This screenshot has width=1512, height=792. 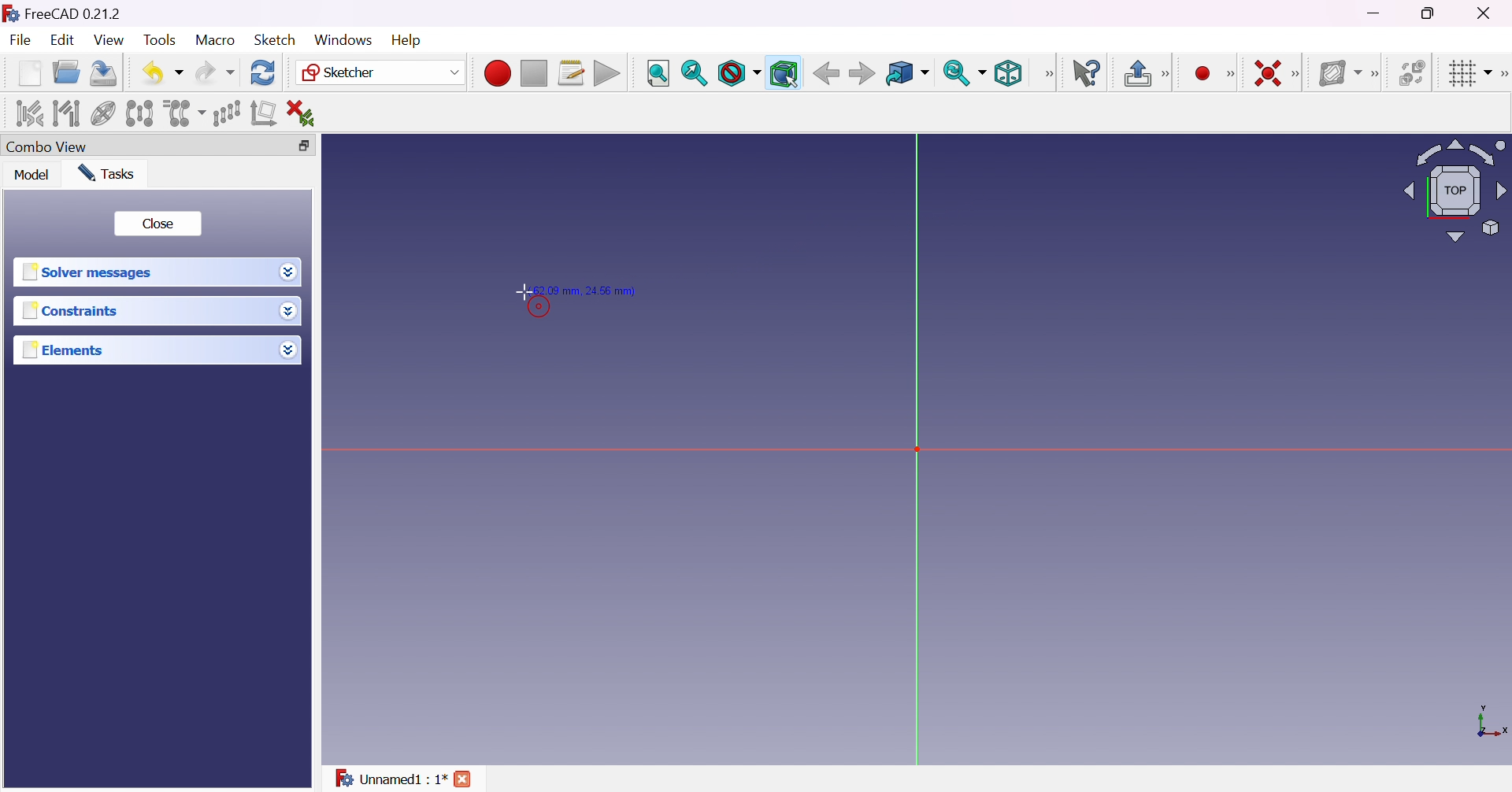 What do you see at coordinates (163, 72) in the screenshot?
I see `Undo` at bounding box center [163, 72].